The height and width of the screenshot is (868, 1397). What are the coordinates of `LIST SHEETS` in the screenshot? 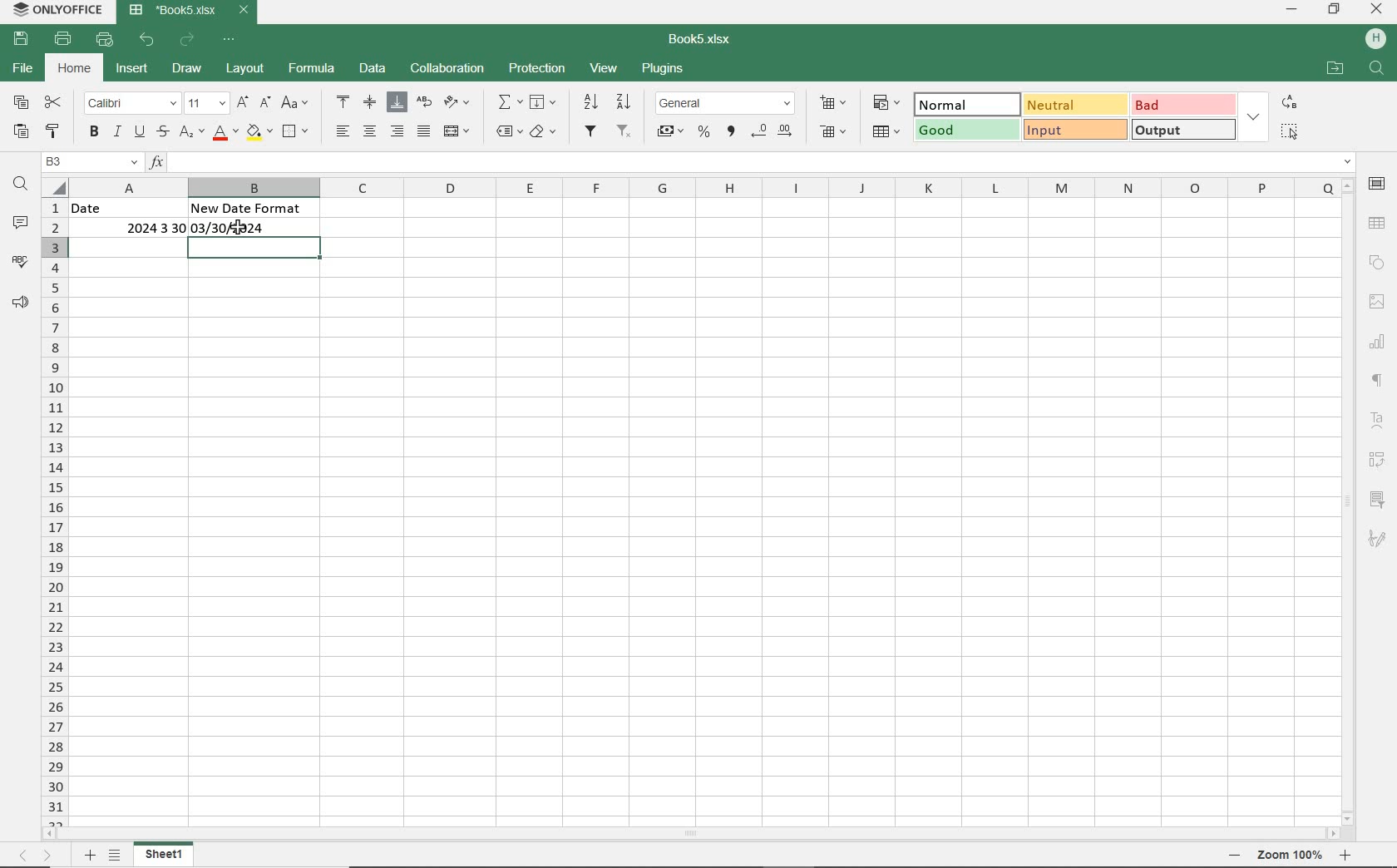 It's located at (116, 856).